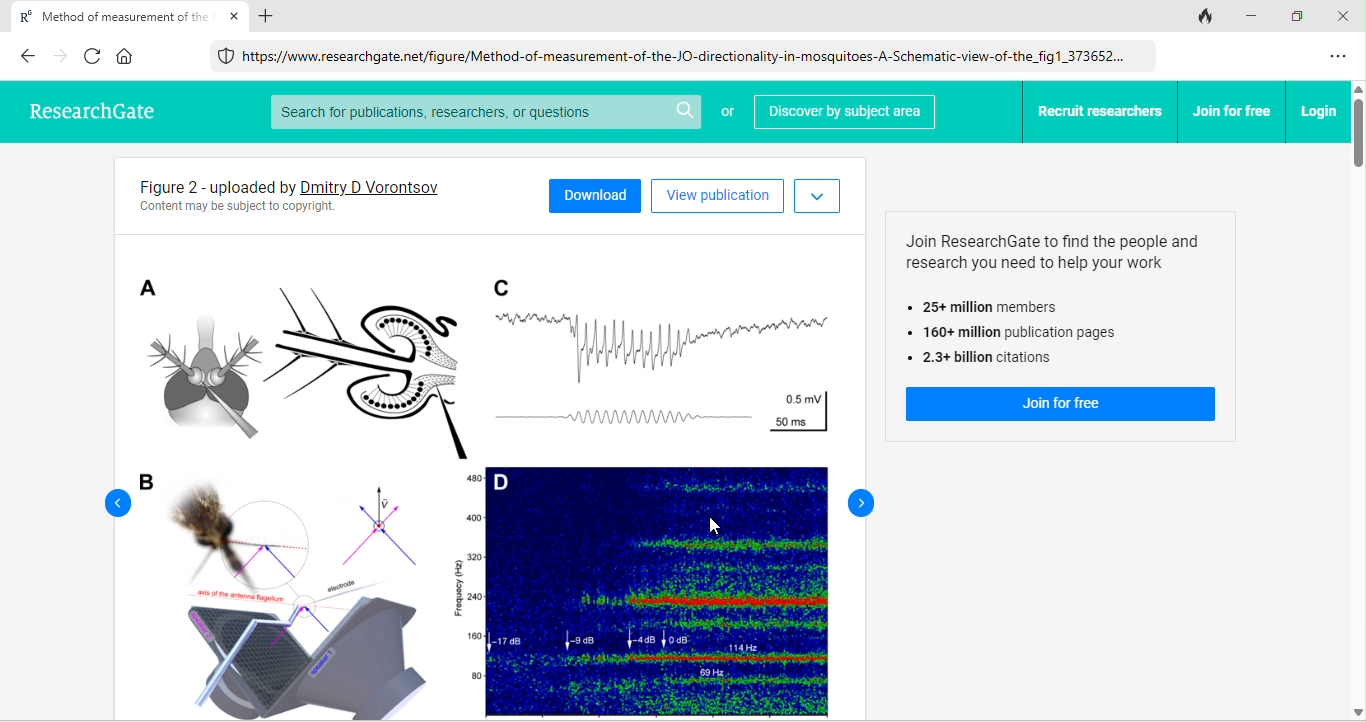 The image size is (1366, 722). I want to click on forward, so click(857, 502).